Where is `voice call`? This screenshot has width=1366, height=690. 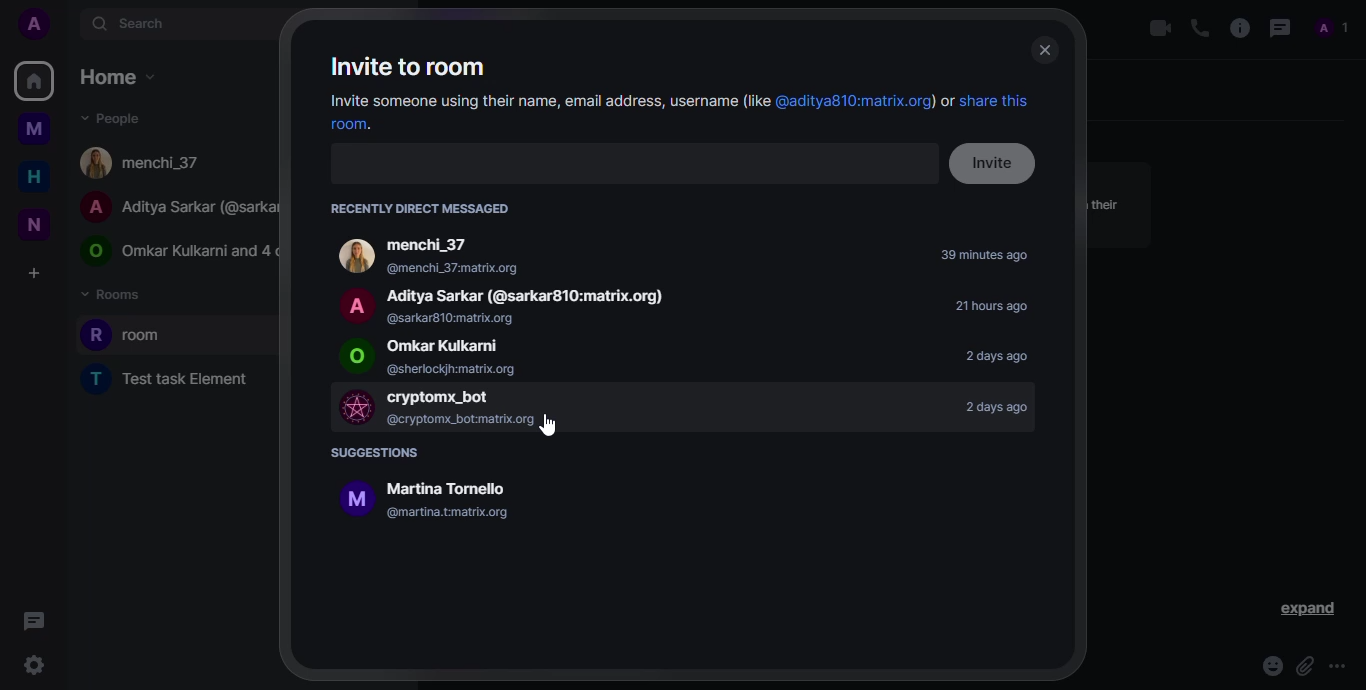
voice call is located at coordinates (1199, 28).